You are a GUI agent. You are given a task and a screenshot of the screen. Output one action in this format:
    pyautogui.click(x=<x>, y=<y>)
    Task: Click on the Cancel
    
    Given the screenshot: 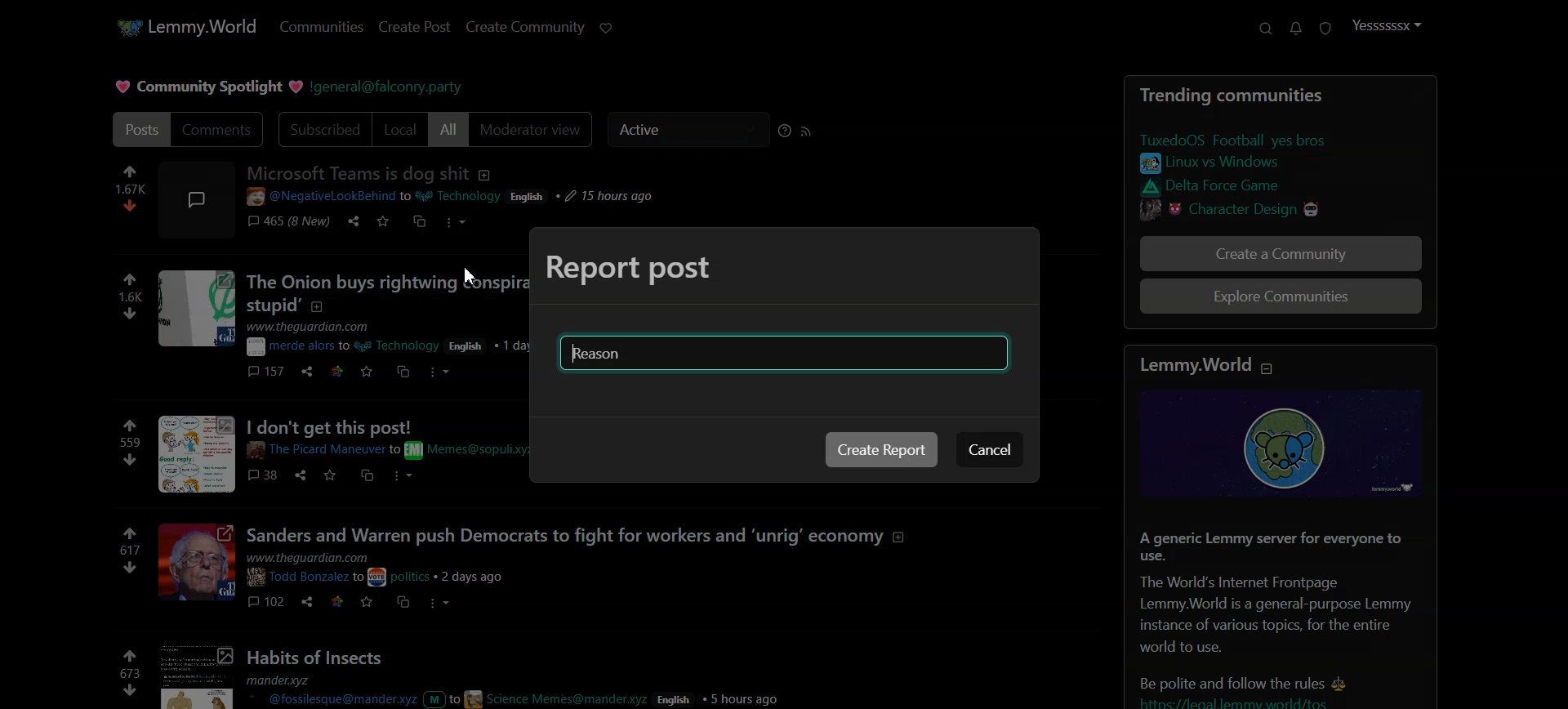 What is the action you would take?
    pyautogui.click(x=990, y=448)
    